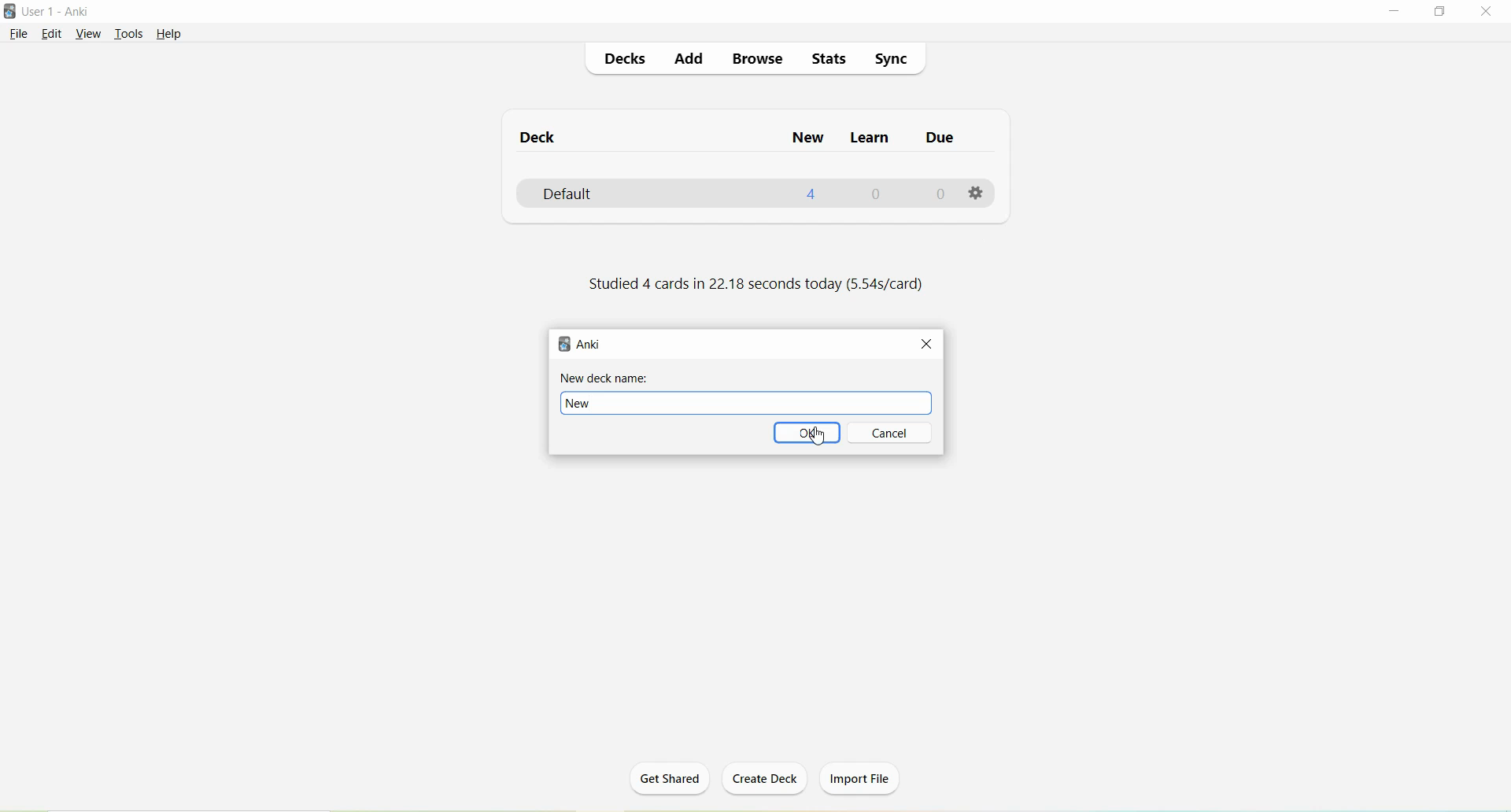 This screenshot has height=812, width=1511. I want to click on View, so click(87, 34).